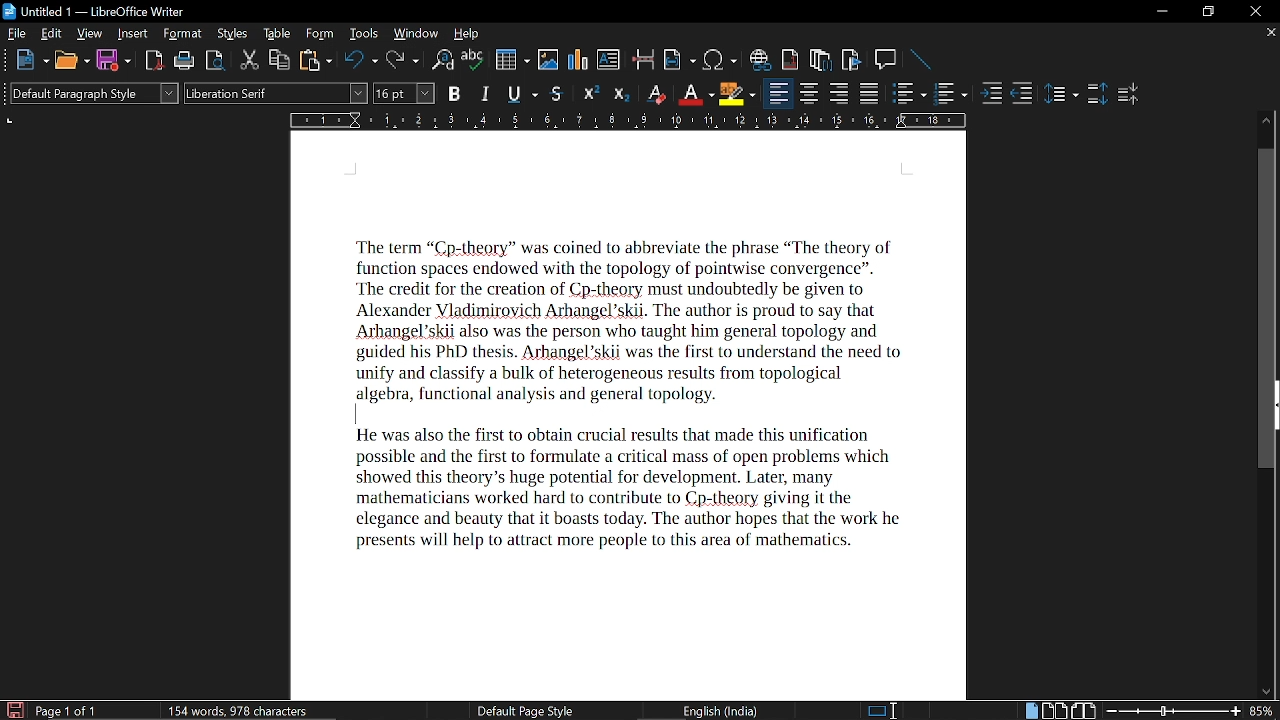 The height and width of the screenshot is (720, 1280). I want to click on Open, so click(71, 62).